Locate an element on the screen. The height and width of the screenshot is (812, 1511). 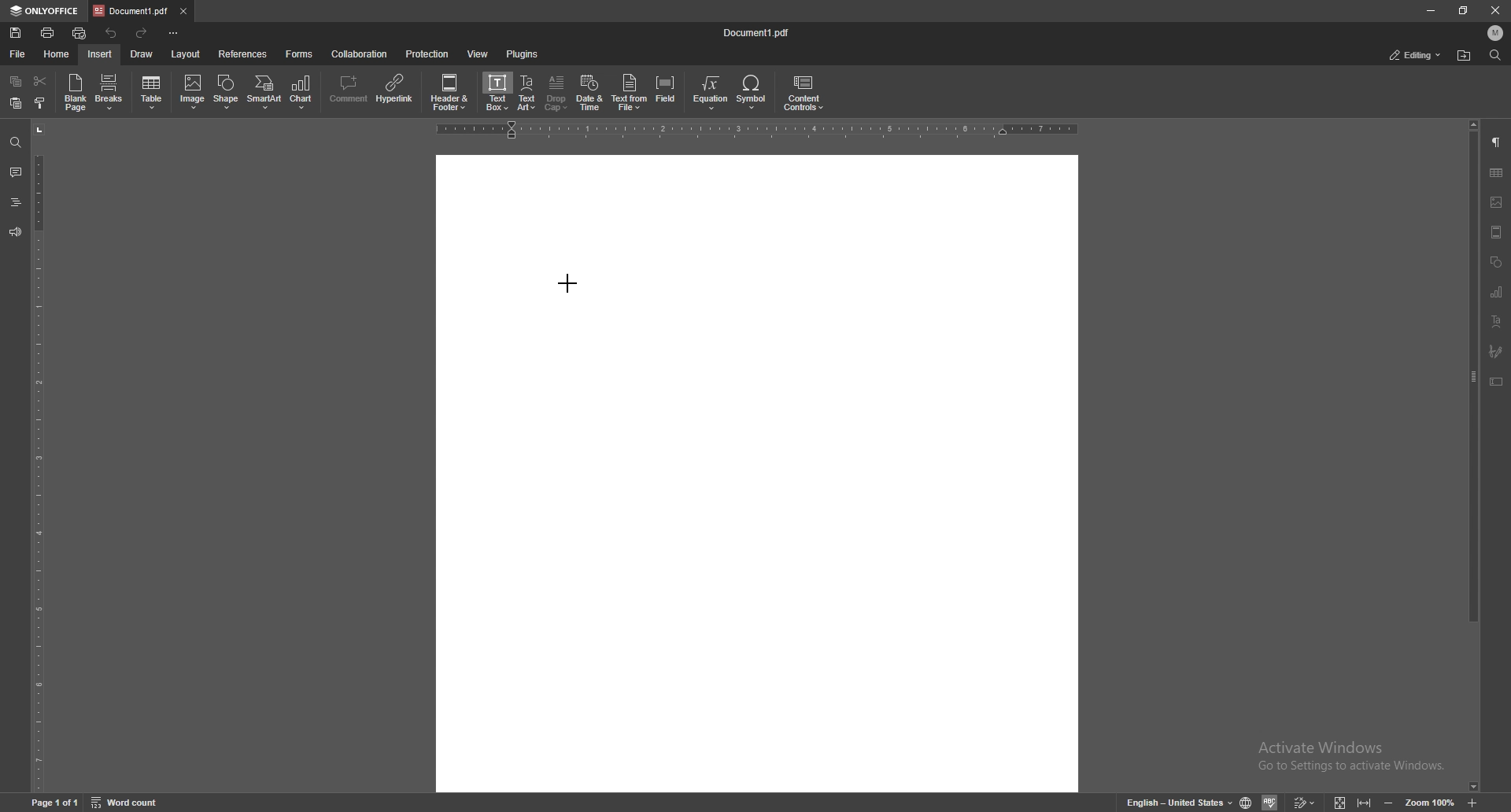
smart art is located at coordinates (264, 92).